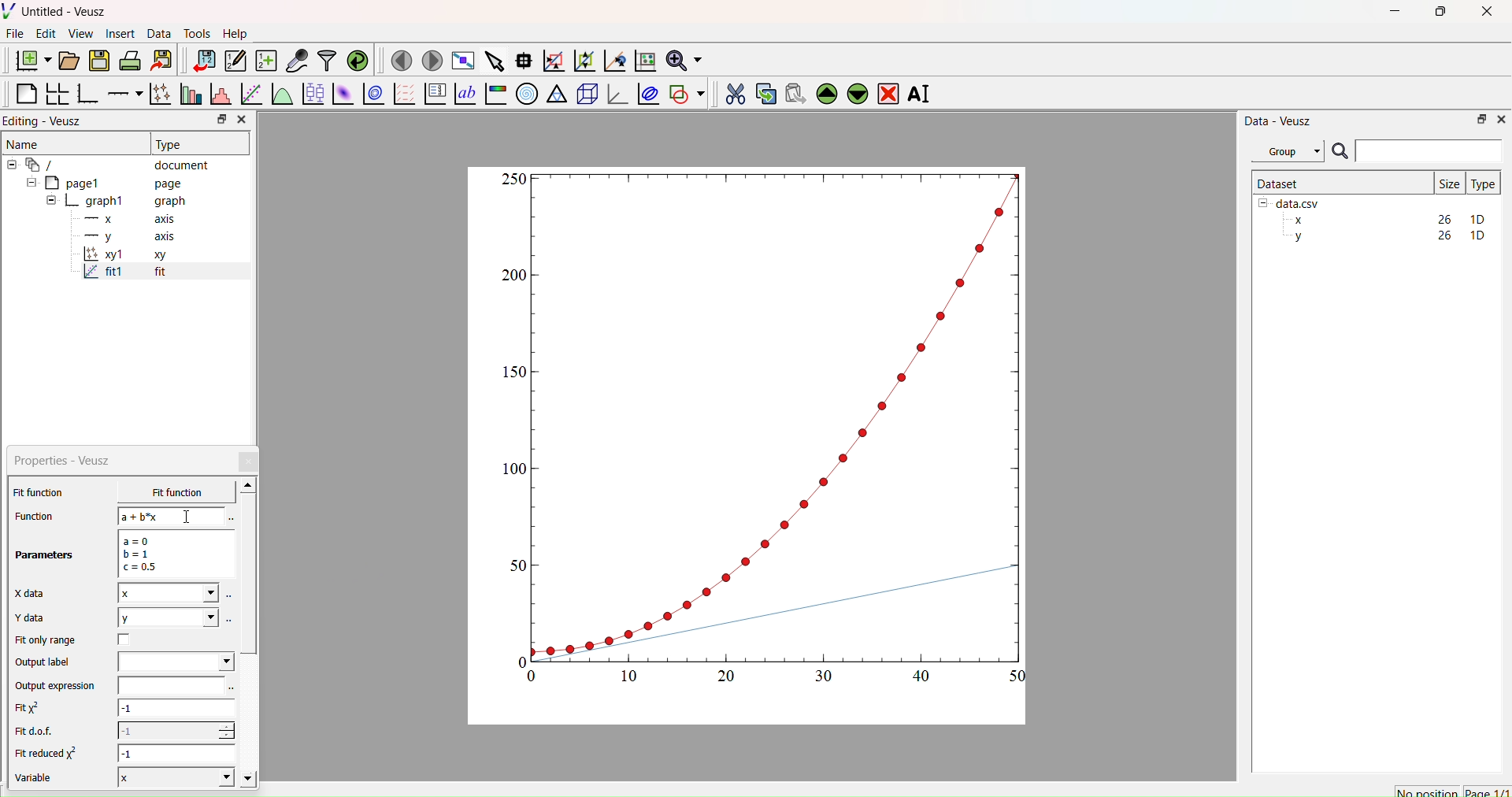  What do you see at coordinates (176, 730) in the screenshot?
I see `-1` at bounding box center [176, 730].